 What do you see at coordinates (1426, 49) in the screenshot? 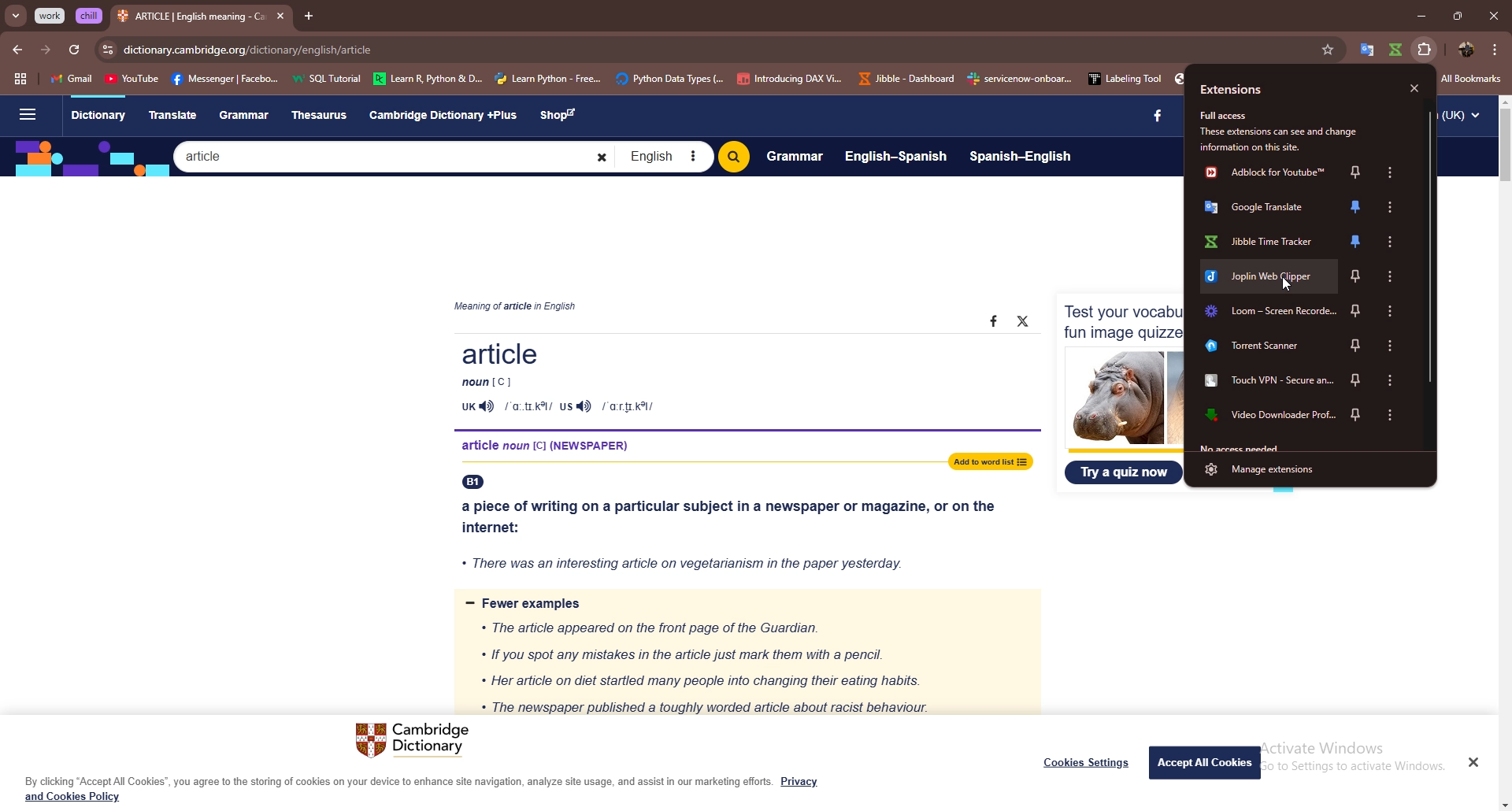
I see `extensions` at bounding box center [1426, 49].